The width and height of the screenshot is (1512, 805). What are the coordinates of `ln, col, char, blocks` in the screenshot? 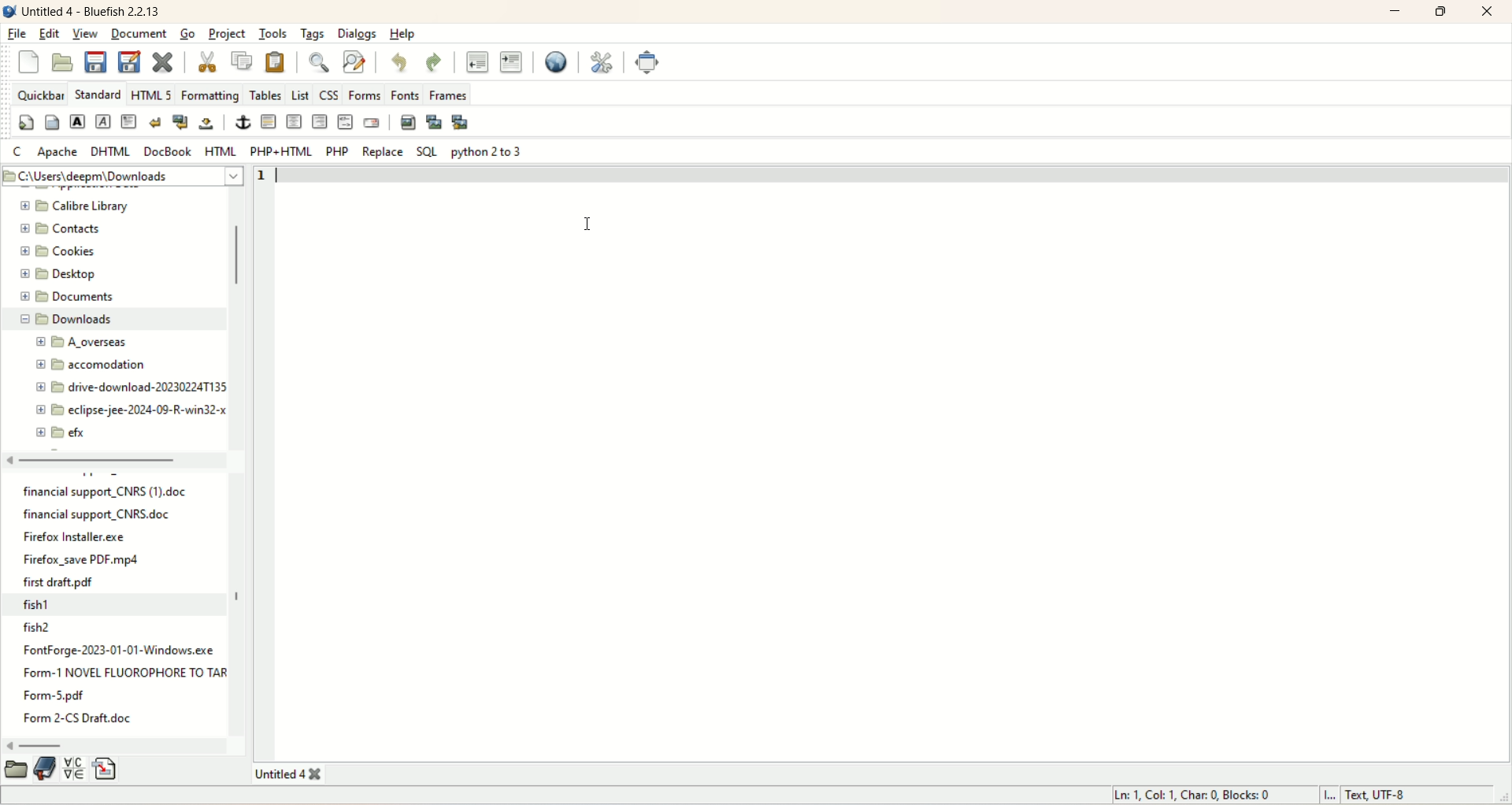 It's located at (1199, 796).